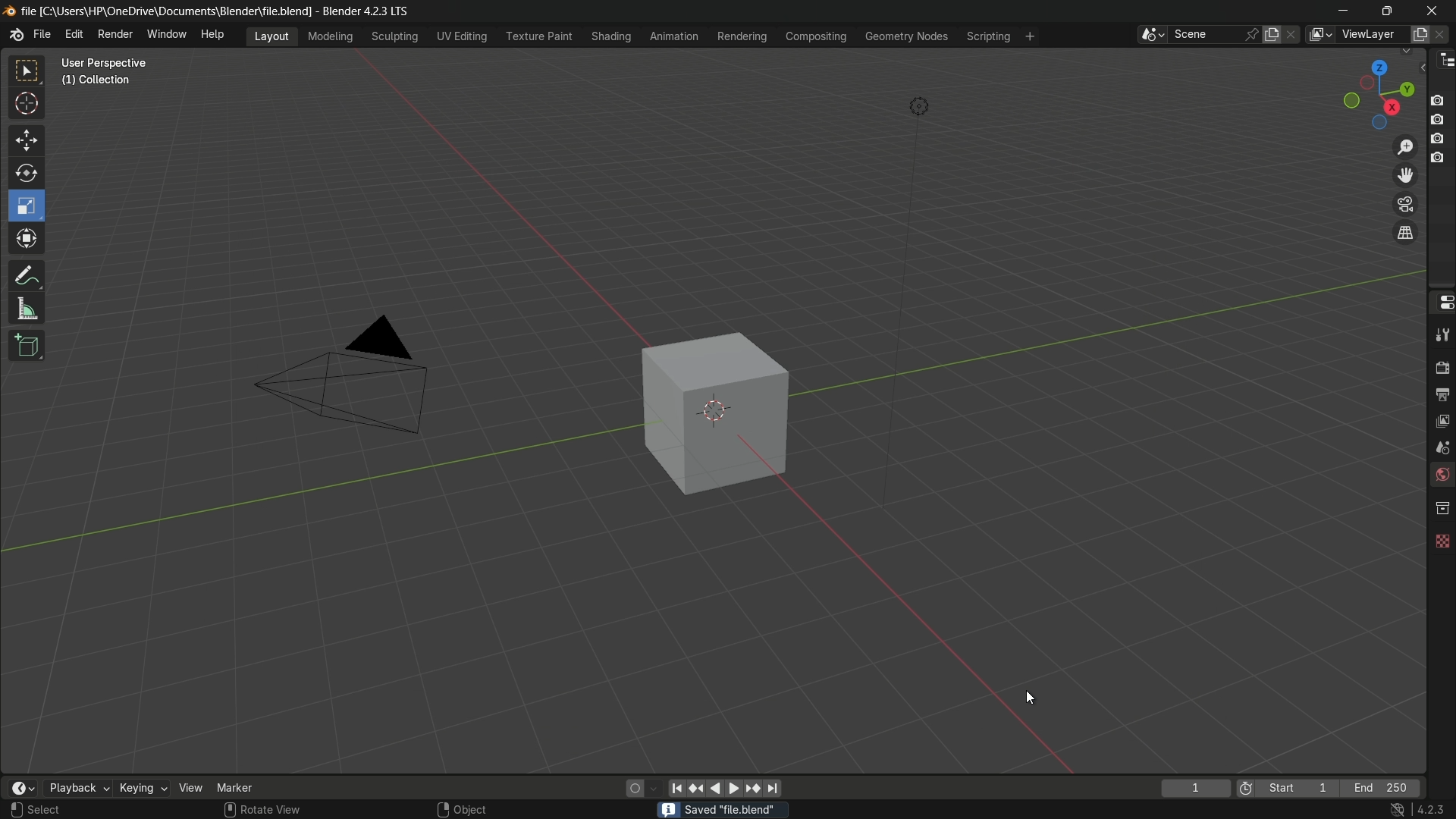 The height and width of the screenshot is (819, 1456). What do you see at coordinates (1443, 127) in the screenshot?
I see `Buttons` at bounding box center [1443, 127].